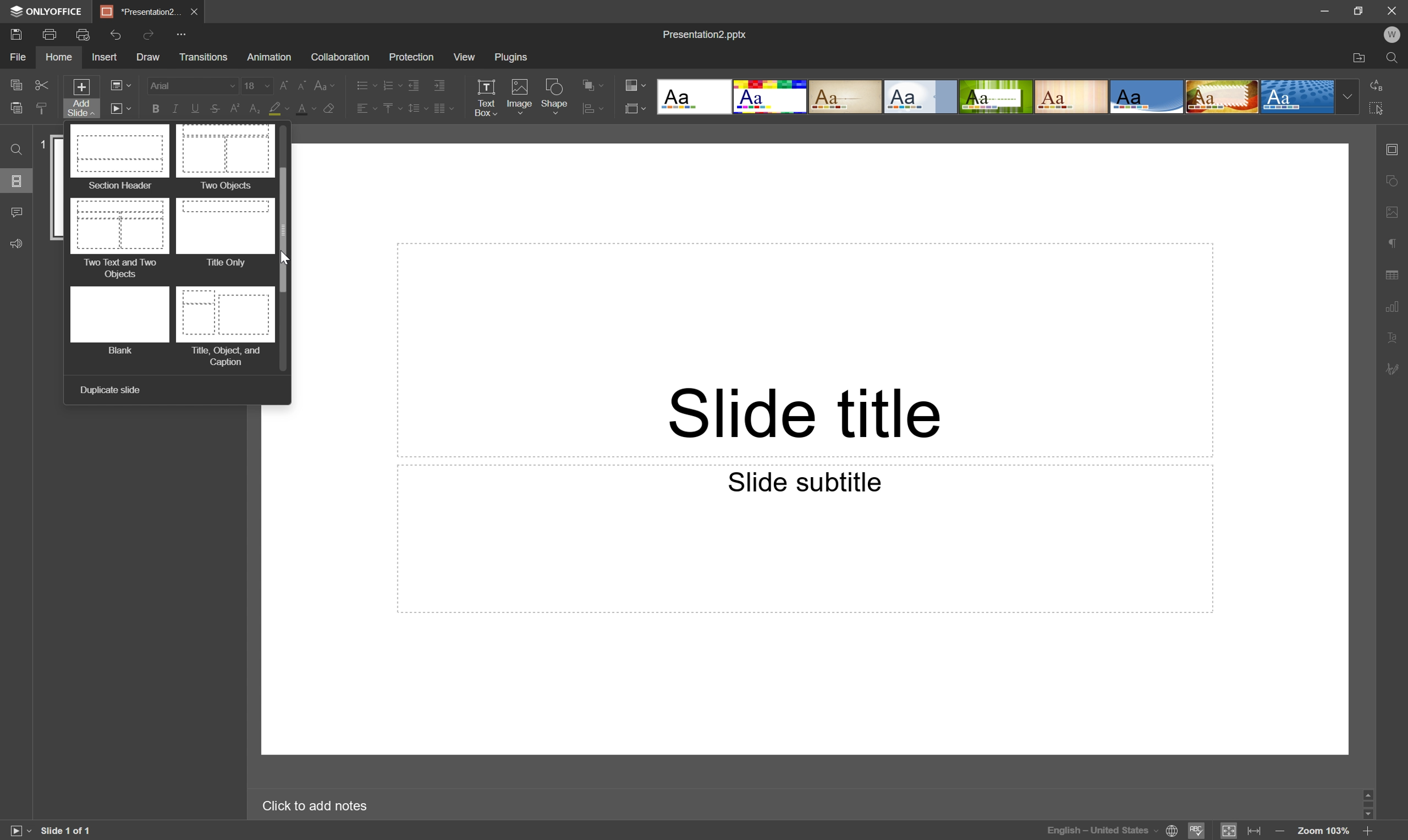 This screenshot has height=840, width=1408. I want to click on File, so click(19, 57).